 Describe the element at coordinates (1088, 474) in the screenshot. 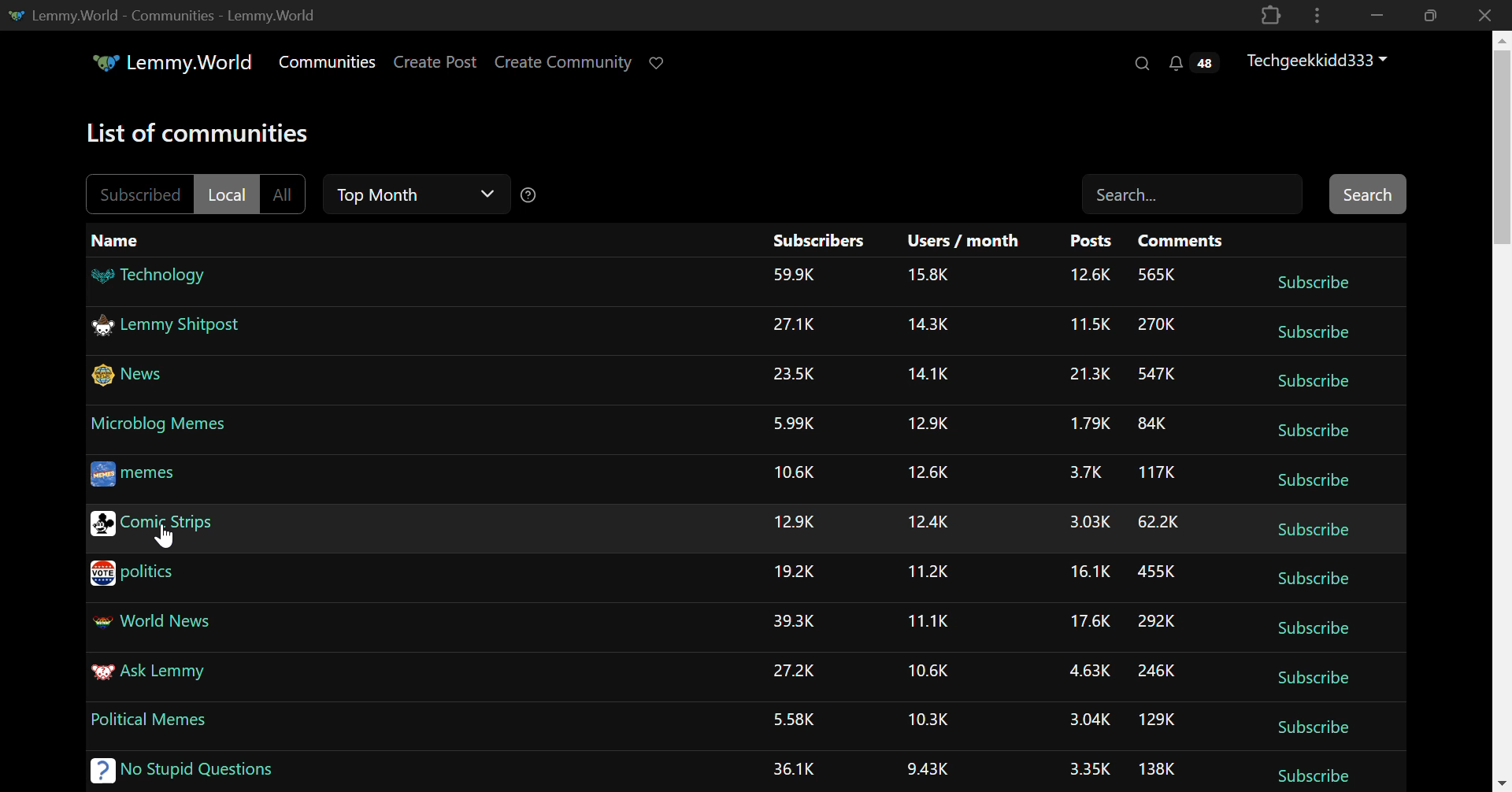

I see `3.7K` at that location.